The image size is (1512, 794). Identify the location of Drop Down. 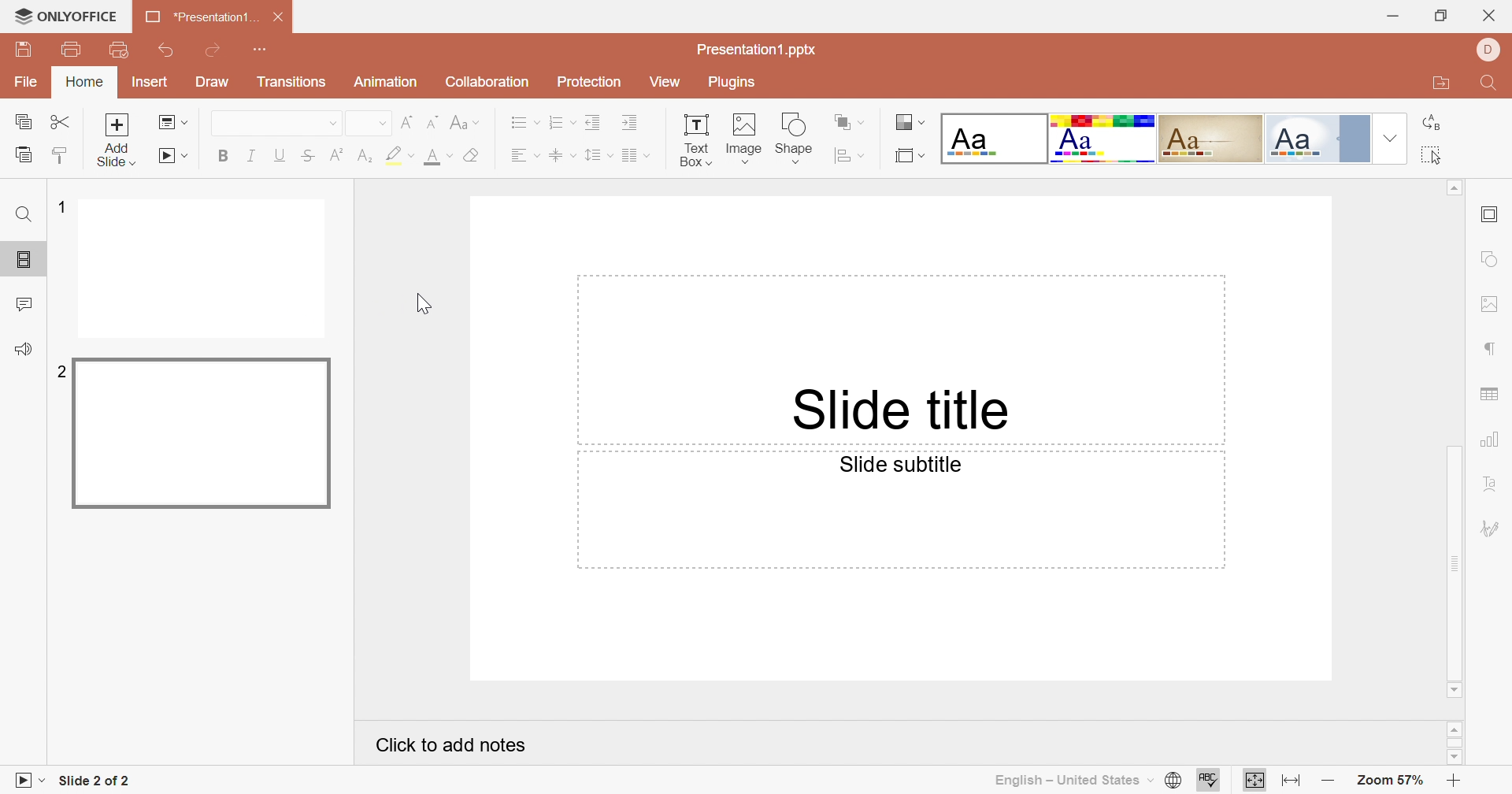
(927, 154).